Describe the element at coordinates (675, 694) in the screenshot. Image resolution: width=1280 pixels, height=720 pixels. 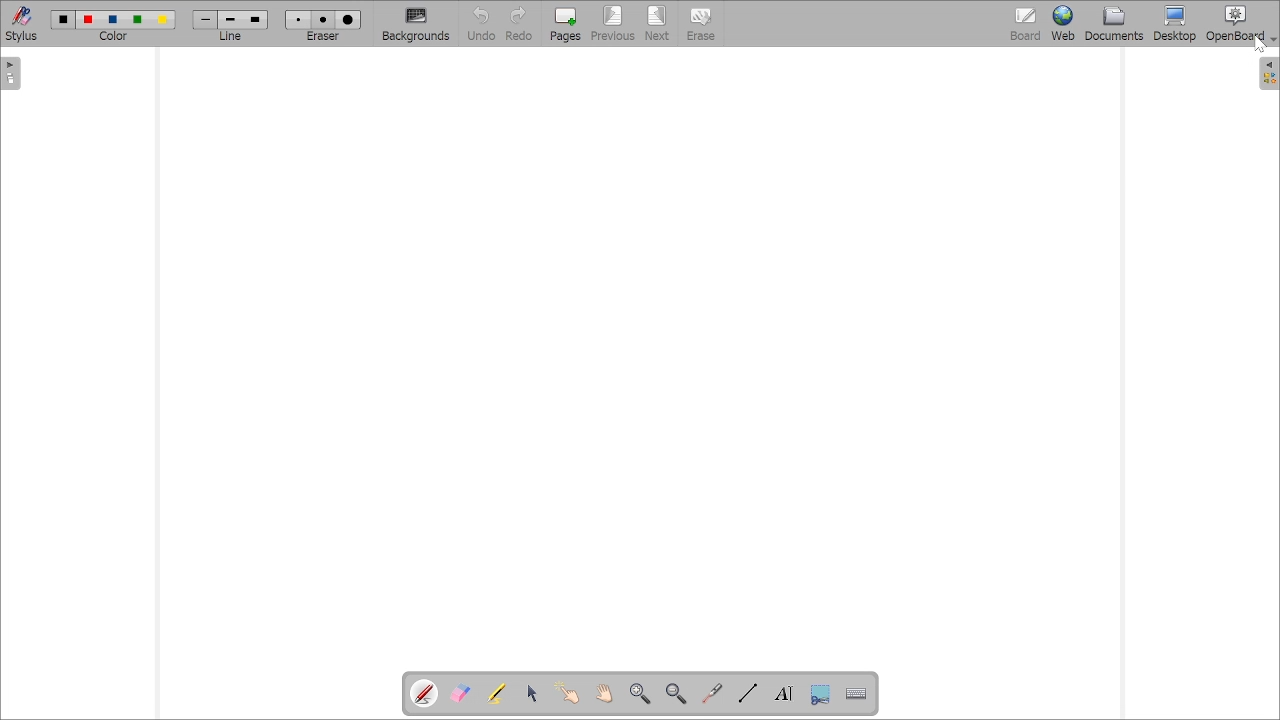
I see `Zoom out` at that location.